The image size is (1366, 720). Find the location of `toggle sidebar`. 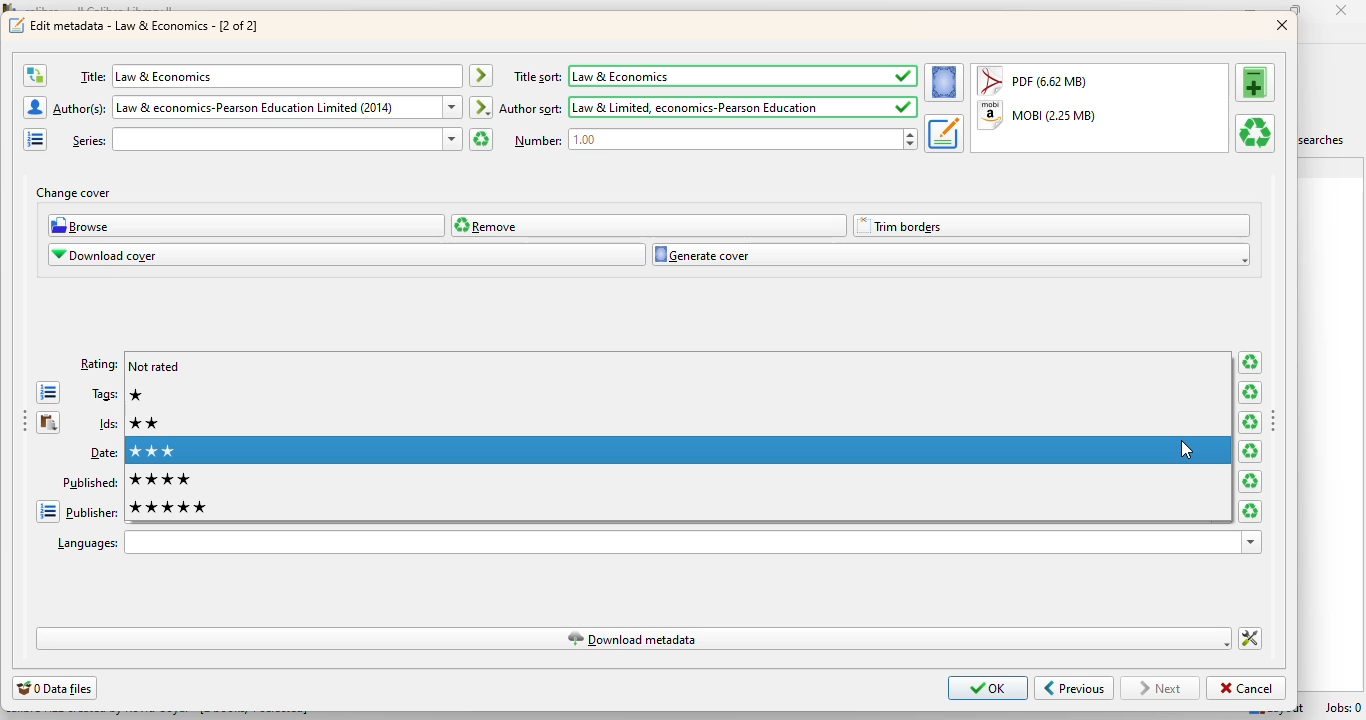

toggle sidebar is located at coordinates (24, 423).